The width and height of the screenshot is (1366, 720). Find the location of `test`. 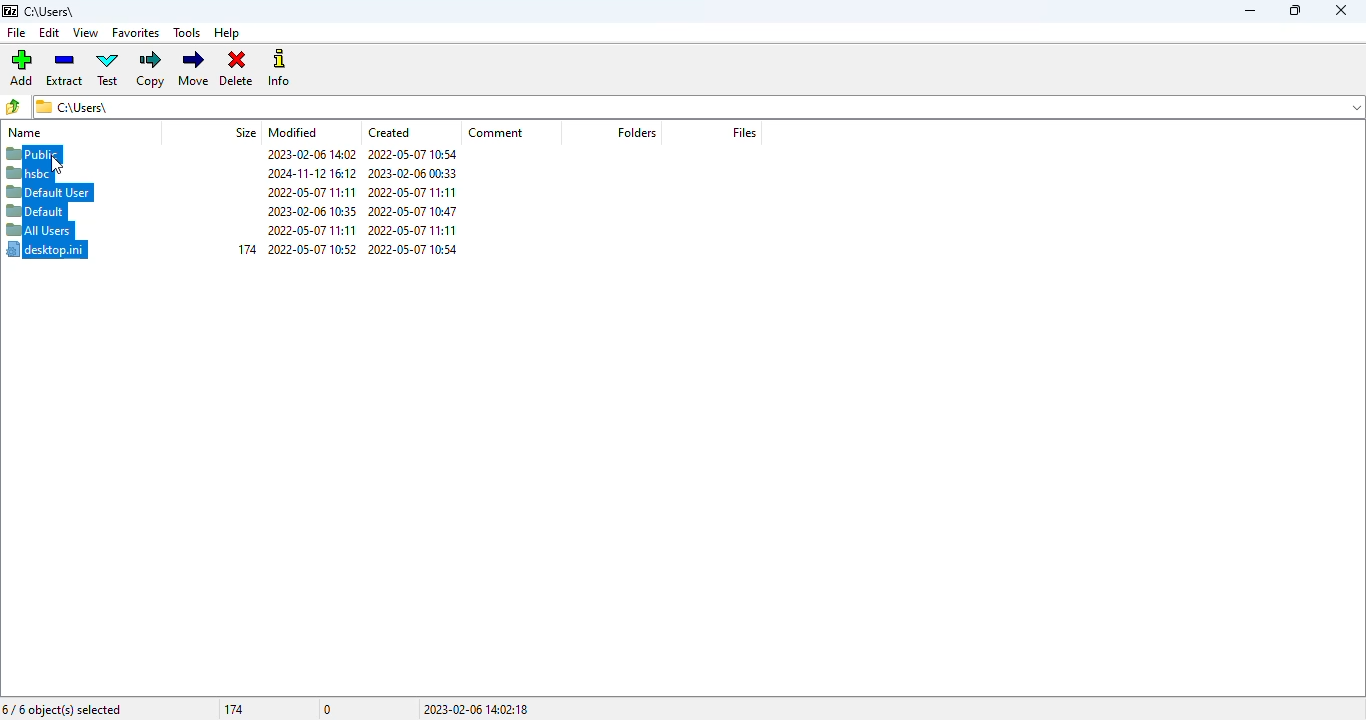

test is located at coordinates (108, 69).